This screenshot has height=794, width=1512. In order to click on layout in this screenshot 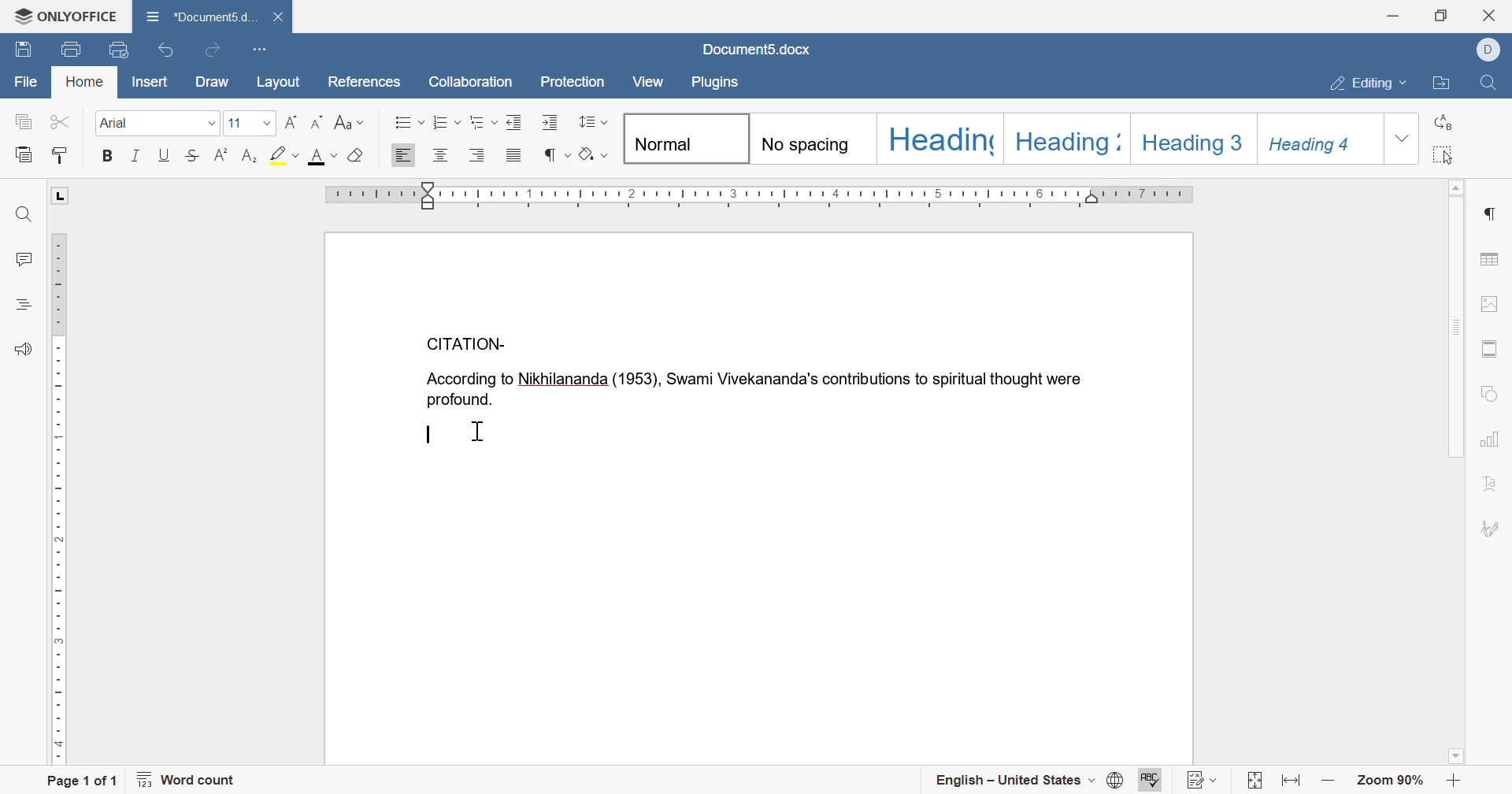, I will do `click(276, 85)`.